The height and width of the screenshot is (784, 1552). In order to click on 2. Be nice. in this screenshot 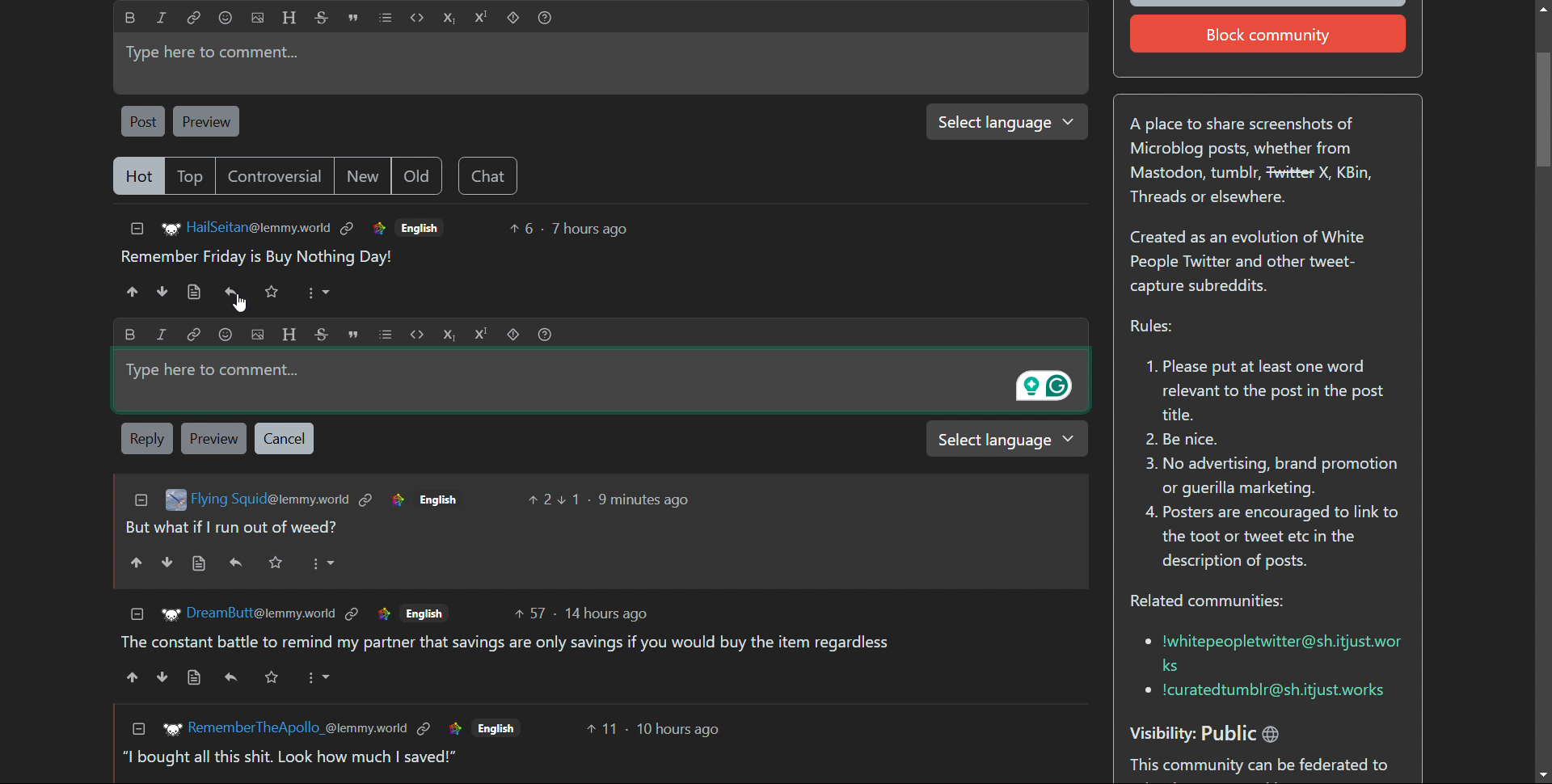, I will do `click(1191, 440)`.